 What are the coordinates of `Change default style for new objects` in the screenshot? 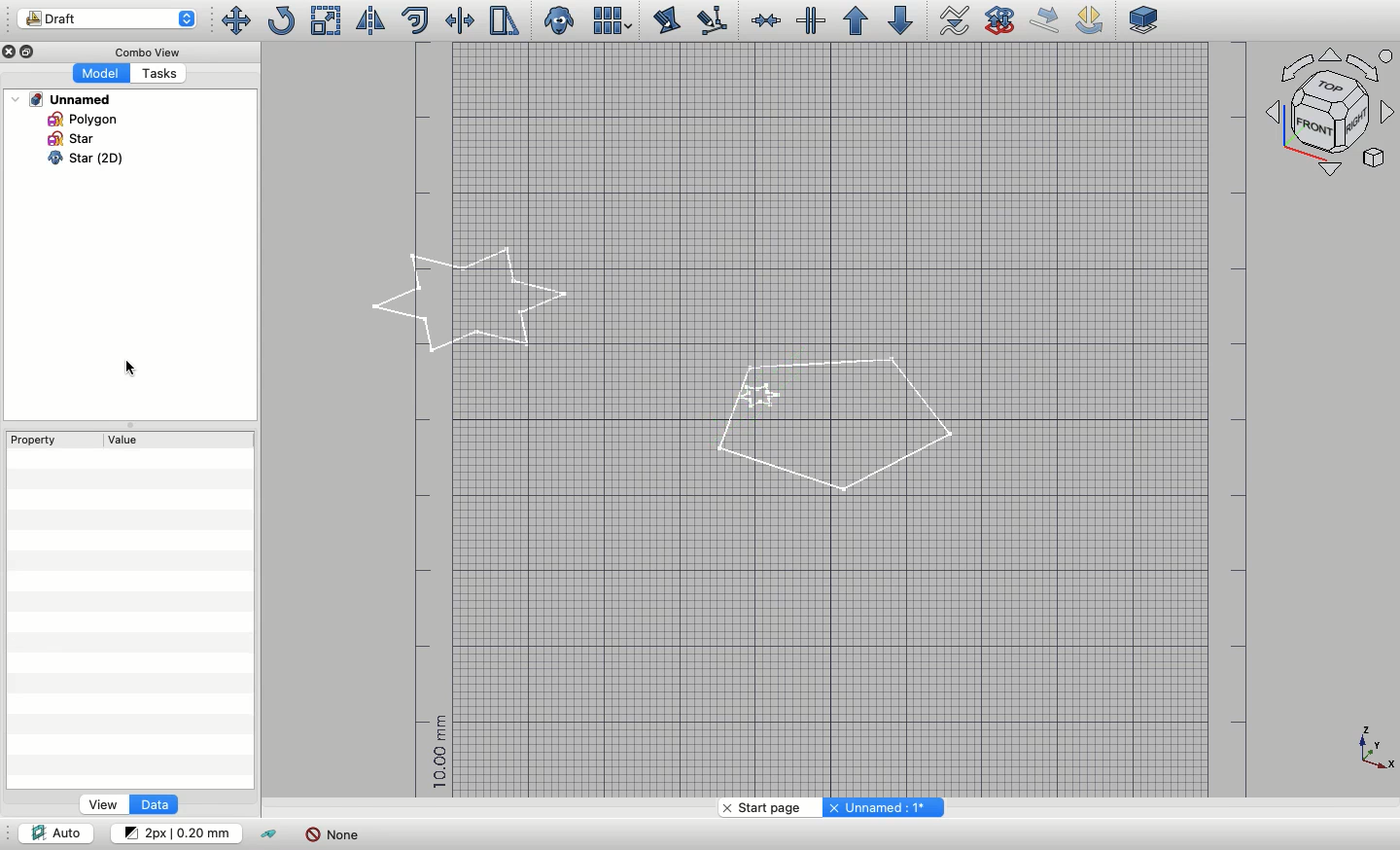 It's located at (174, 832).